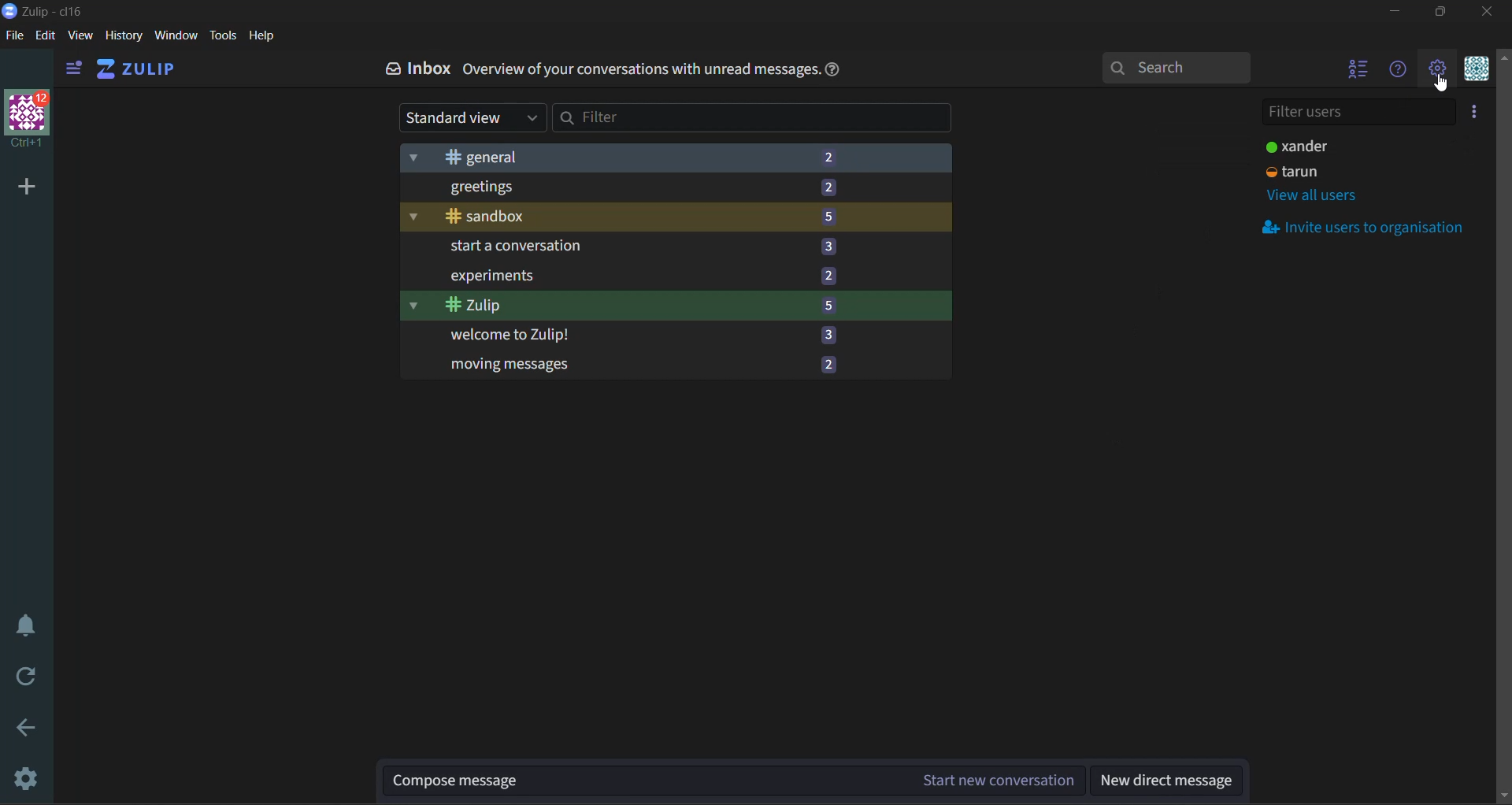 The width and height of the screenshot is (1512, 805). I want to click on hide user list, so click(1361, 72).